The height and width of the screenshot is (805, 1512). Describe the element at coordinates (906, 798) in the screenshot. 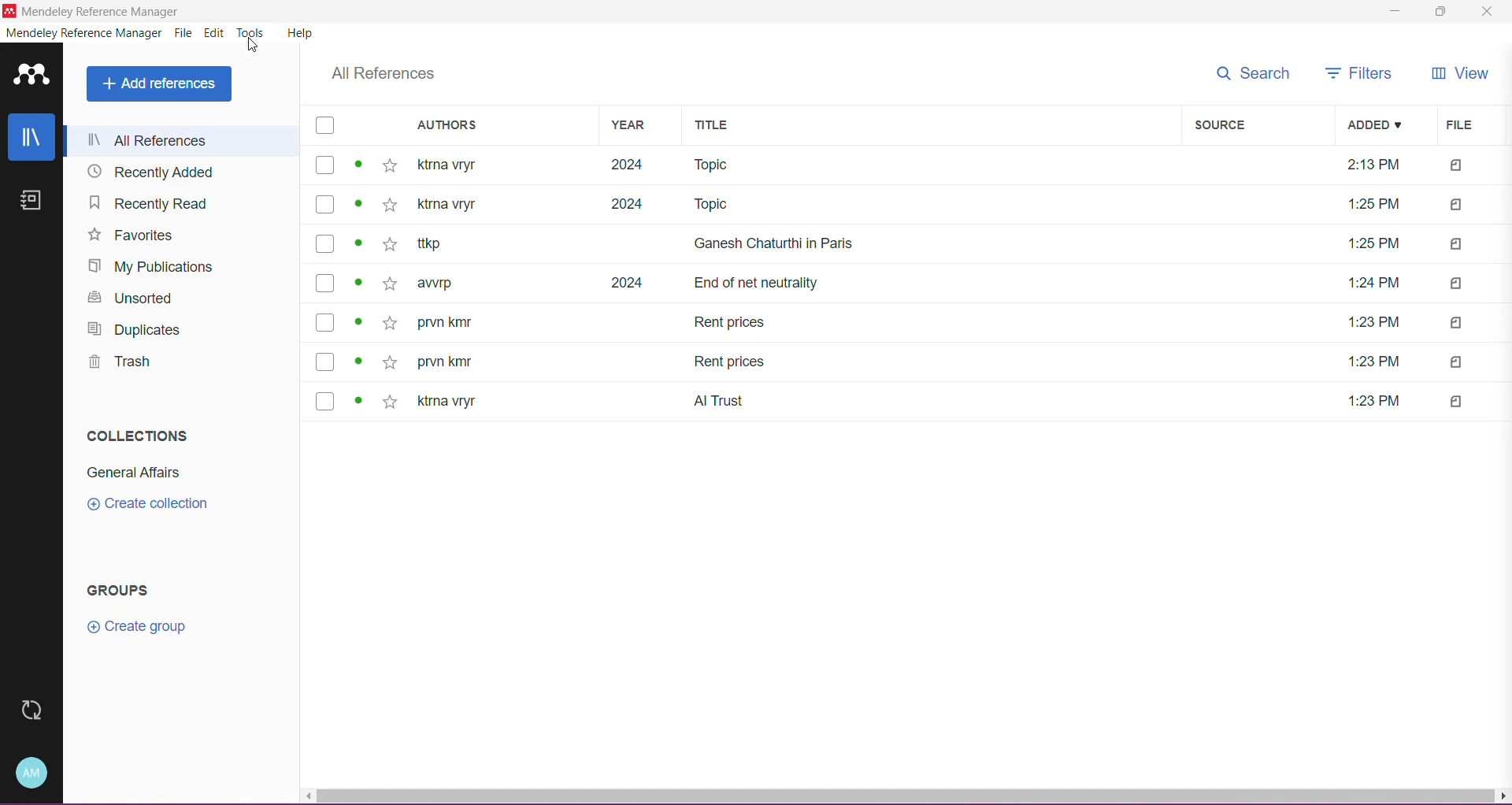

I see `Horizontal Scroll Bar` at that location.